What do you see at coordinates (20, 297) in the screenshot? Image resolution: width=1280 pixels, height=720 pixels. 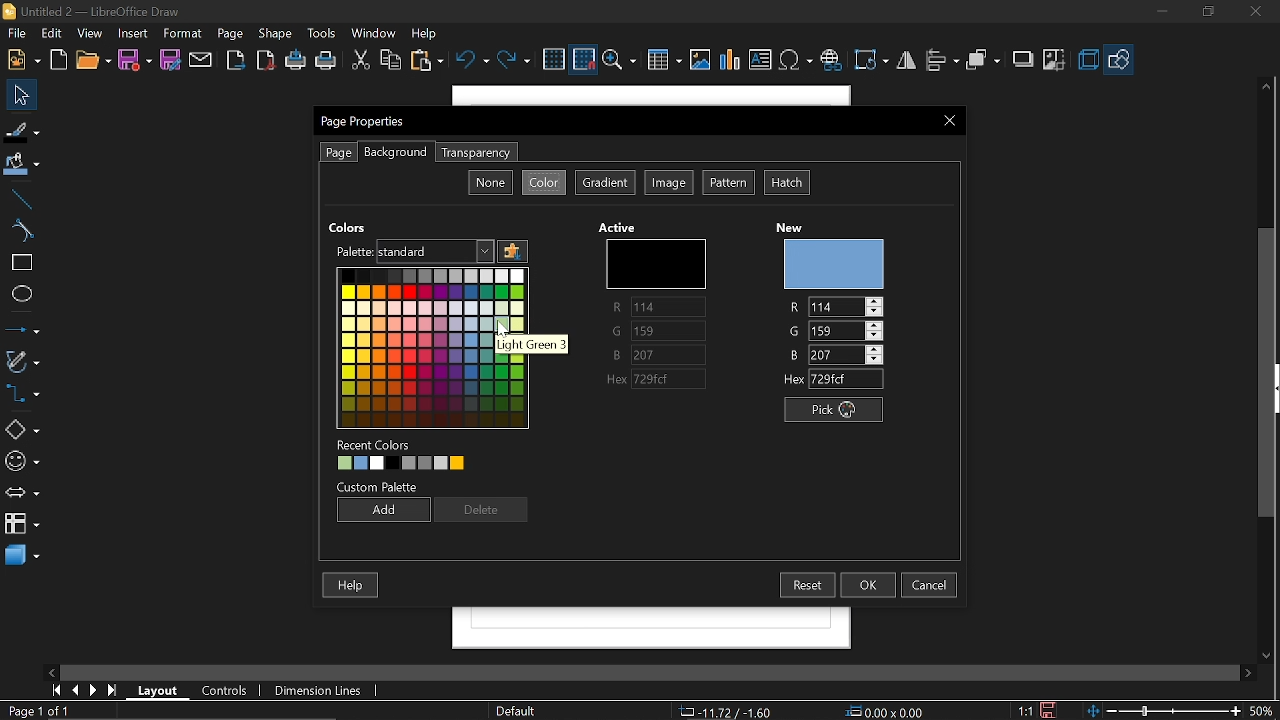 I see `Ellipse` at bounding box center [20, 297].